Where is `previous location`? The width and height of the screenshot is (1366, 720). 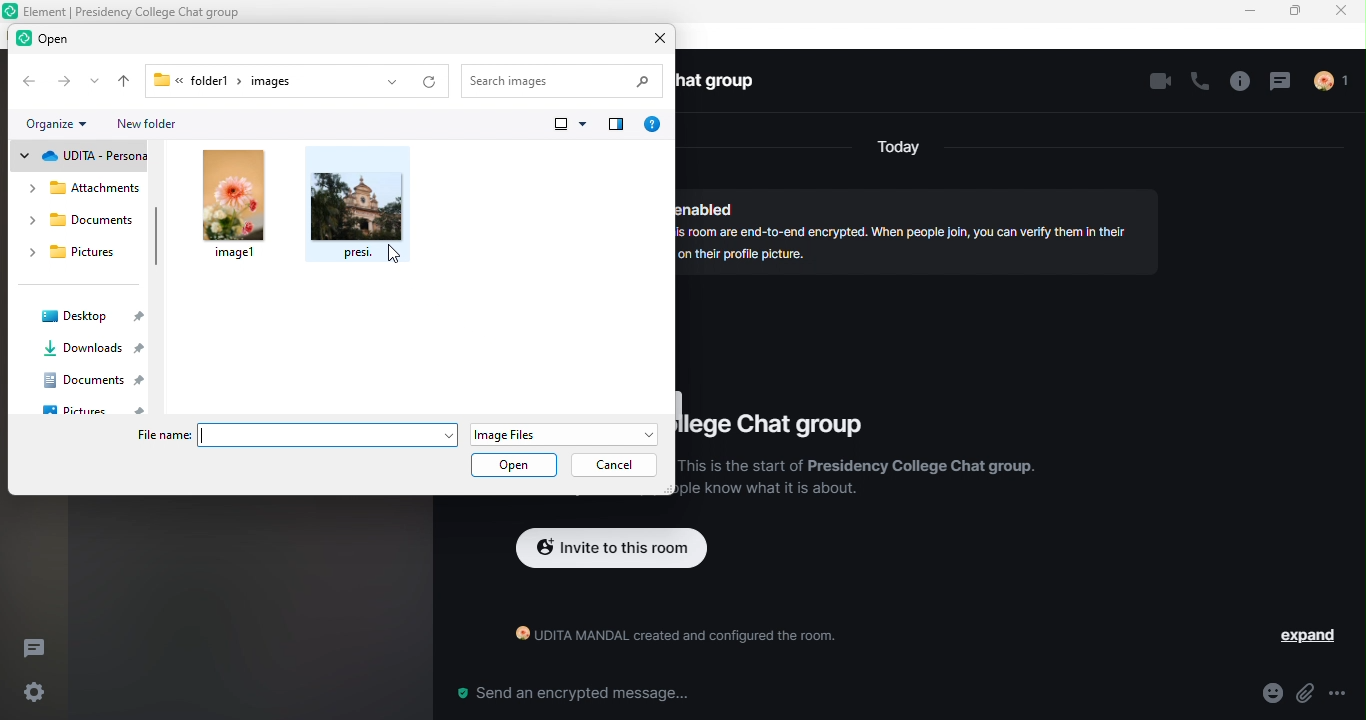 previous location is located at coordinates (388, 82).